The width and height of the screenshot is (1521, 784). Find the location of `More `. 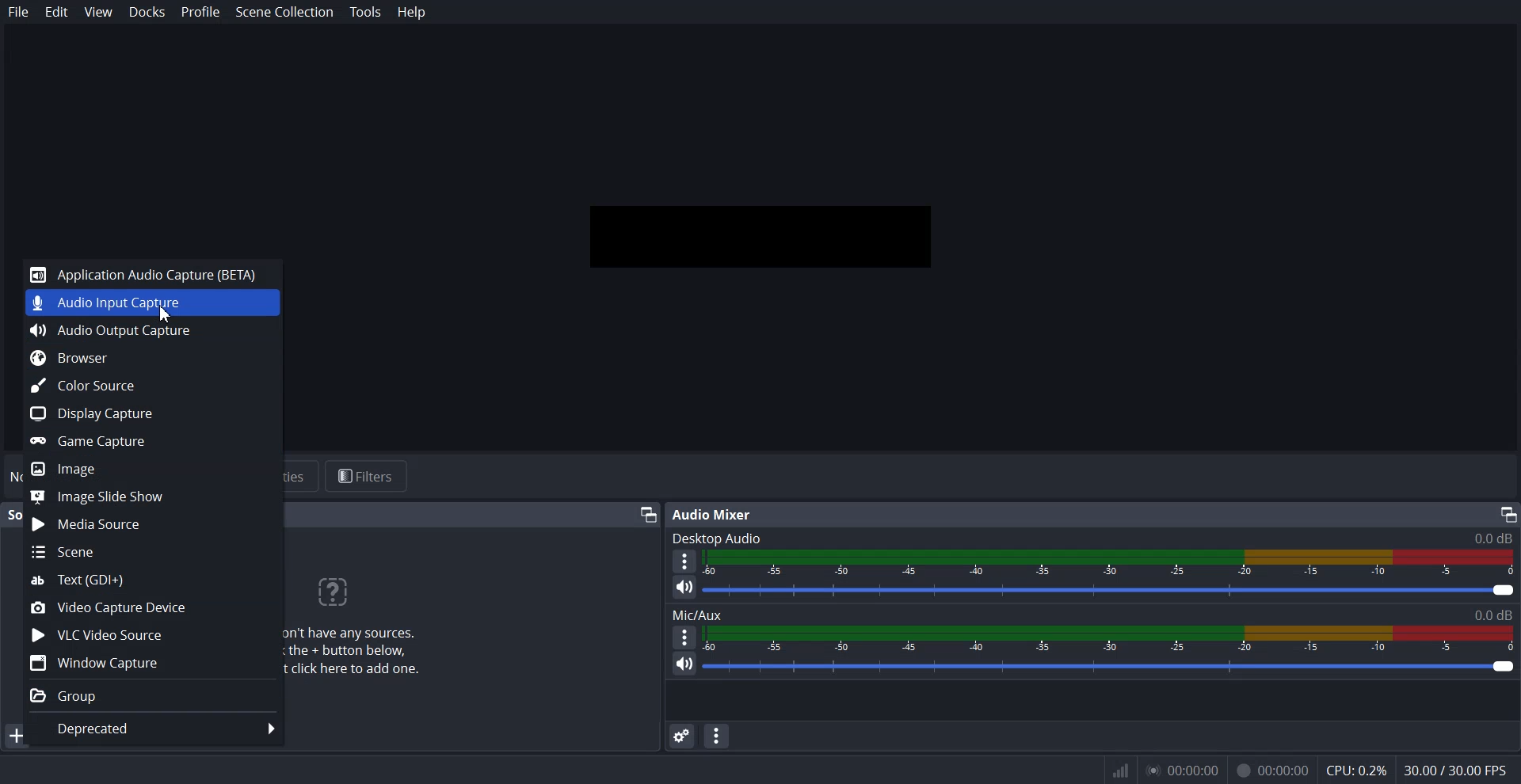

More  is located at coordinates (682, 636).